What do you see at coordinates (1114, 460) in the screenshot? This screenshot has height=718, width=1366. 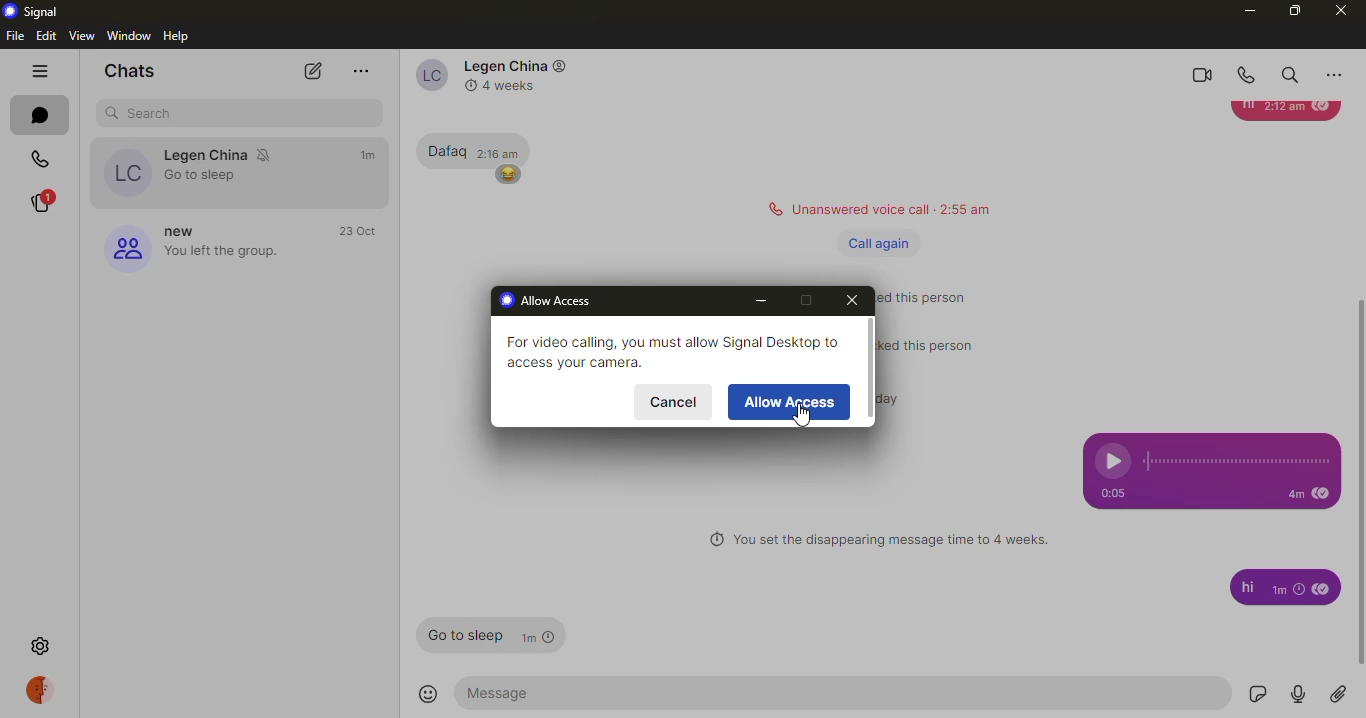 I see `play` at bounding box center [1114, 460].